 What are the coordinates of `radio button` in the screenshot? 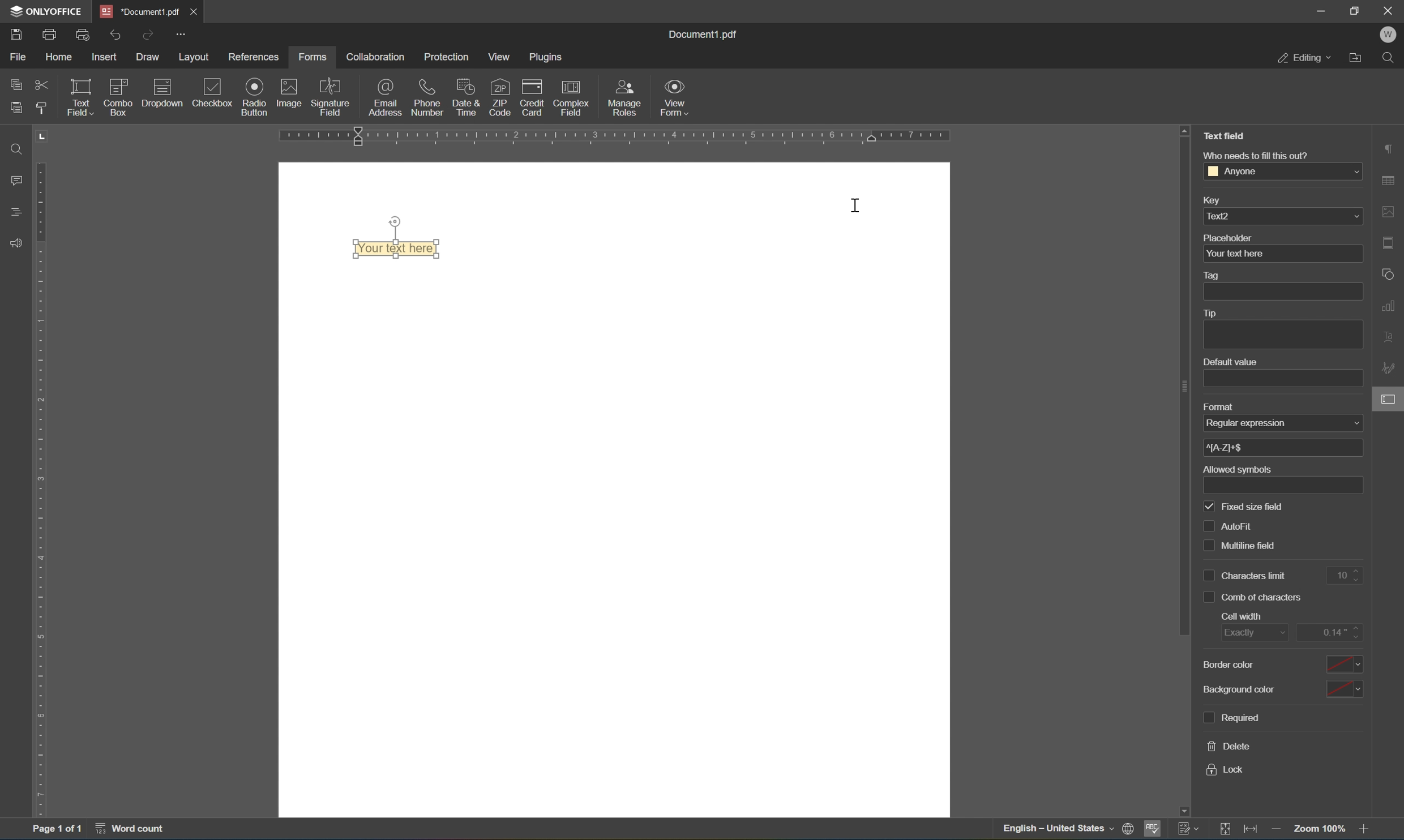 It's located at (254, 96).